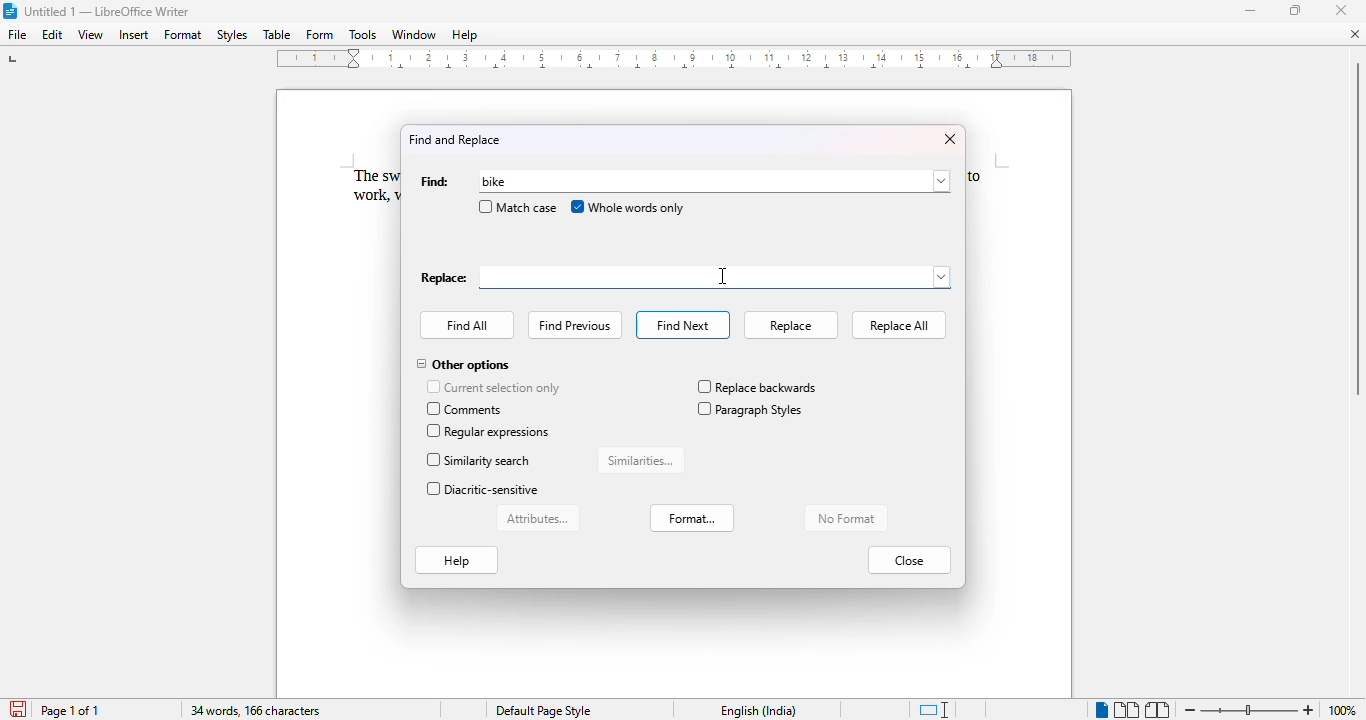  What do you see at coordinates (53, 34) in the screenshot?
I see `edit` at bounding box center [53, 34].